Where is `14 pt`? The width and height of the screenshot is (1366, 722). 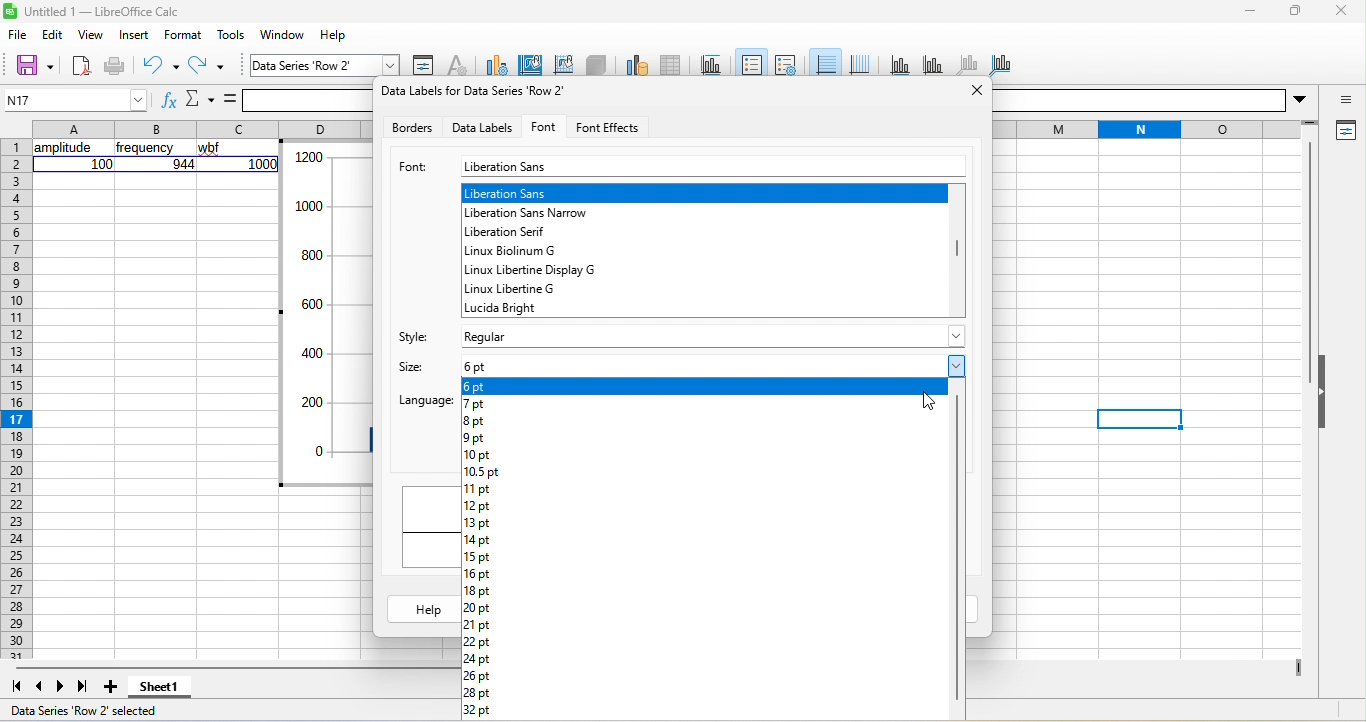
14 pt is located at coordinates (478, 541).